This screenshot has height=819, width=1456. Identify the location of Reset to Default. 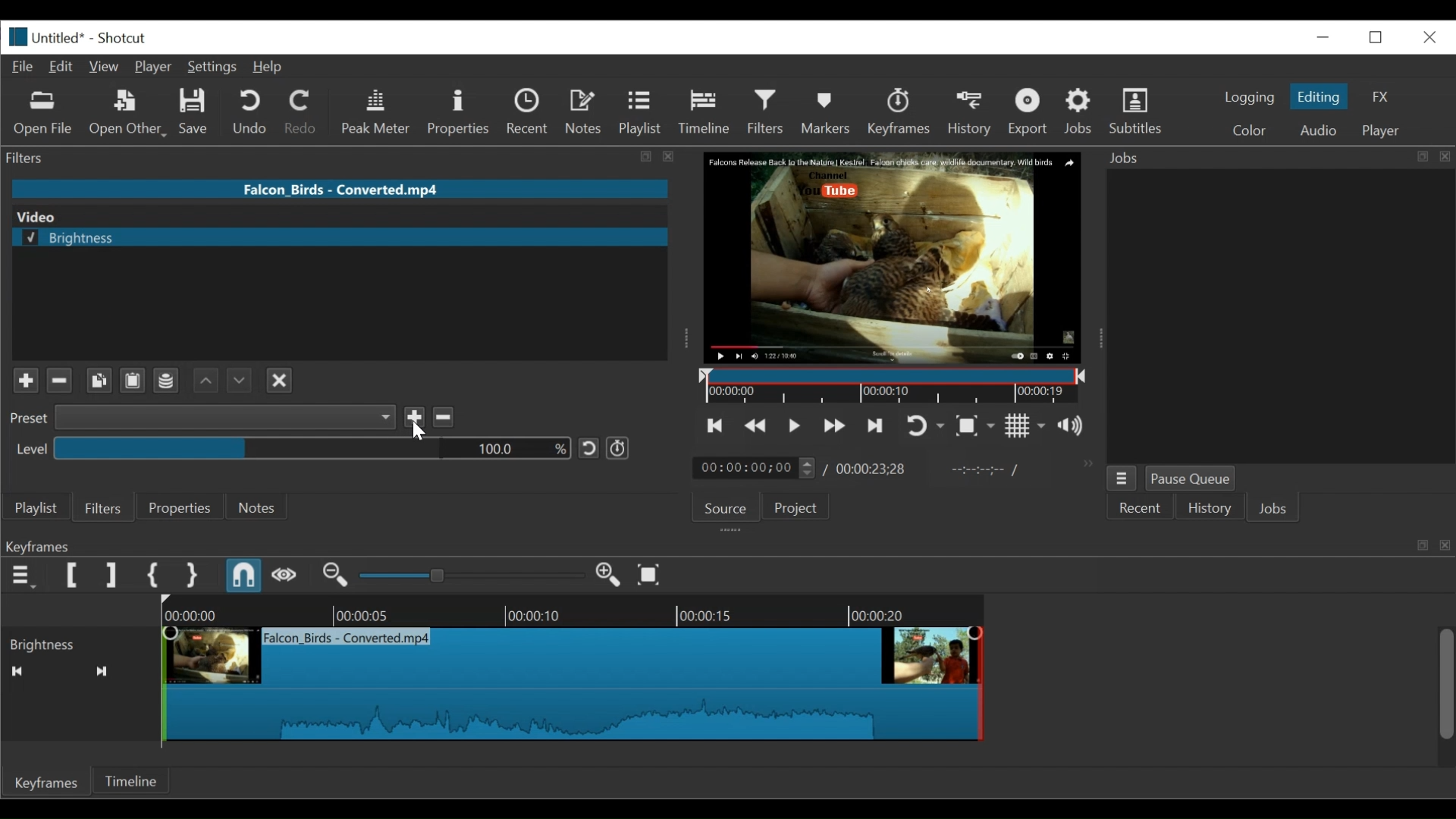
(588, 449).